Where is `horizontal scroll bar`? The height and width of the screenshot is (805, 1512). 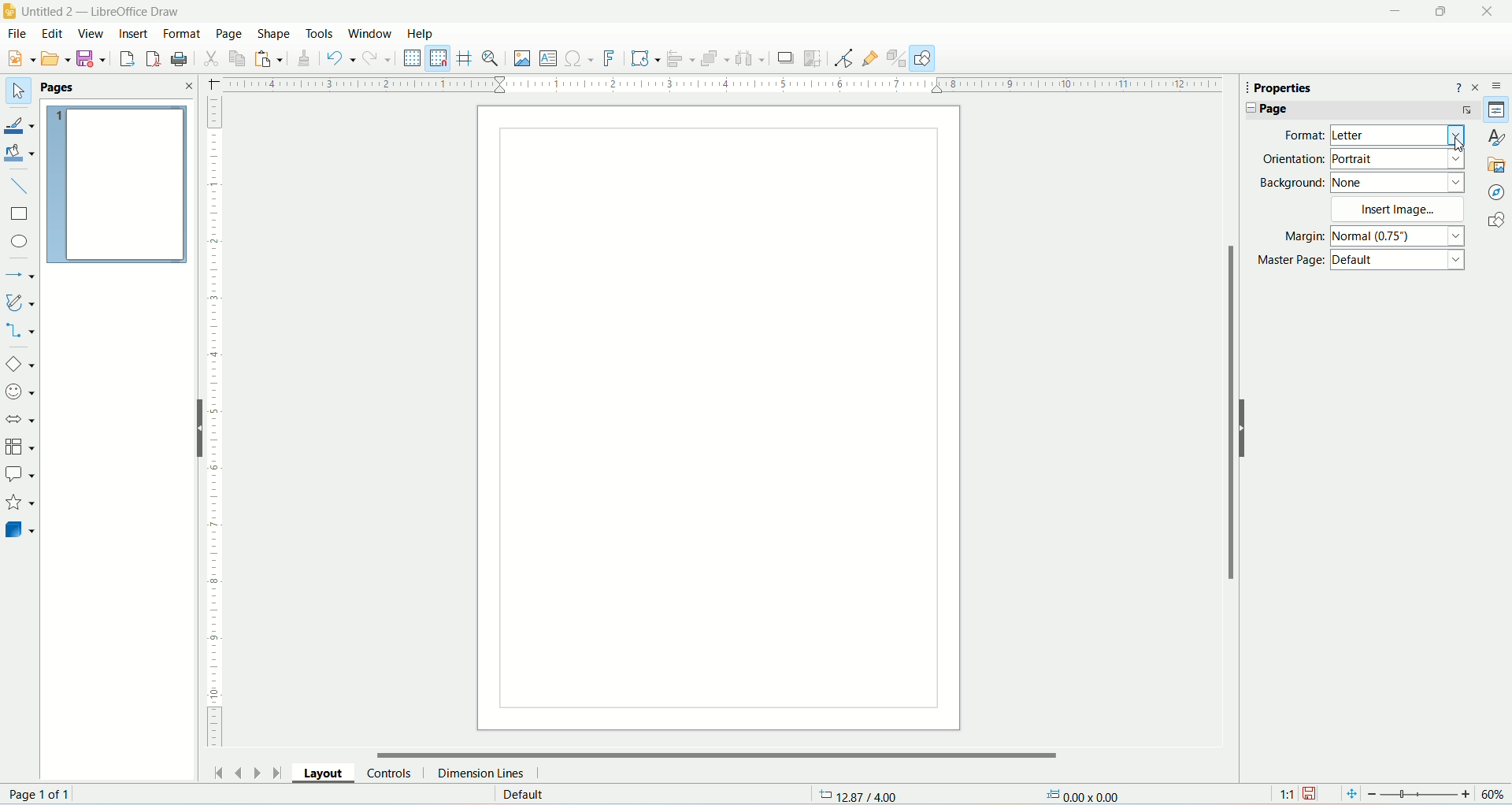
horizontal scroll bar is located at coordinates (715, 754).